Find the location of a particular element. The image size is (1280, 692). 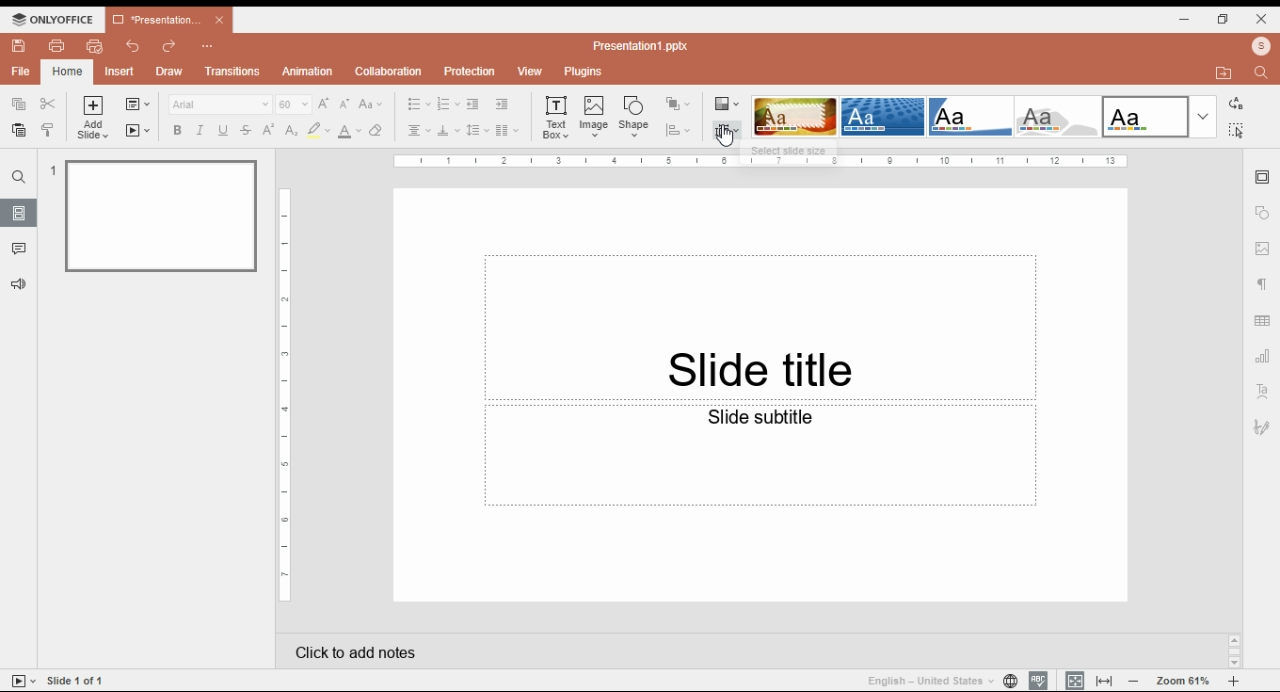

shape settings is located at coordinates (1263, 213).